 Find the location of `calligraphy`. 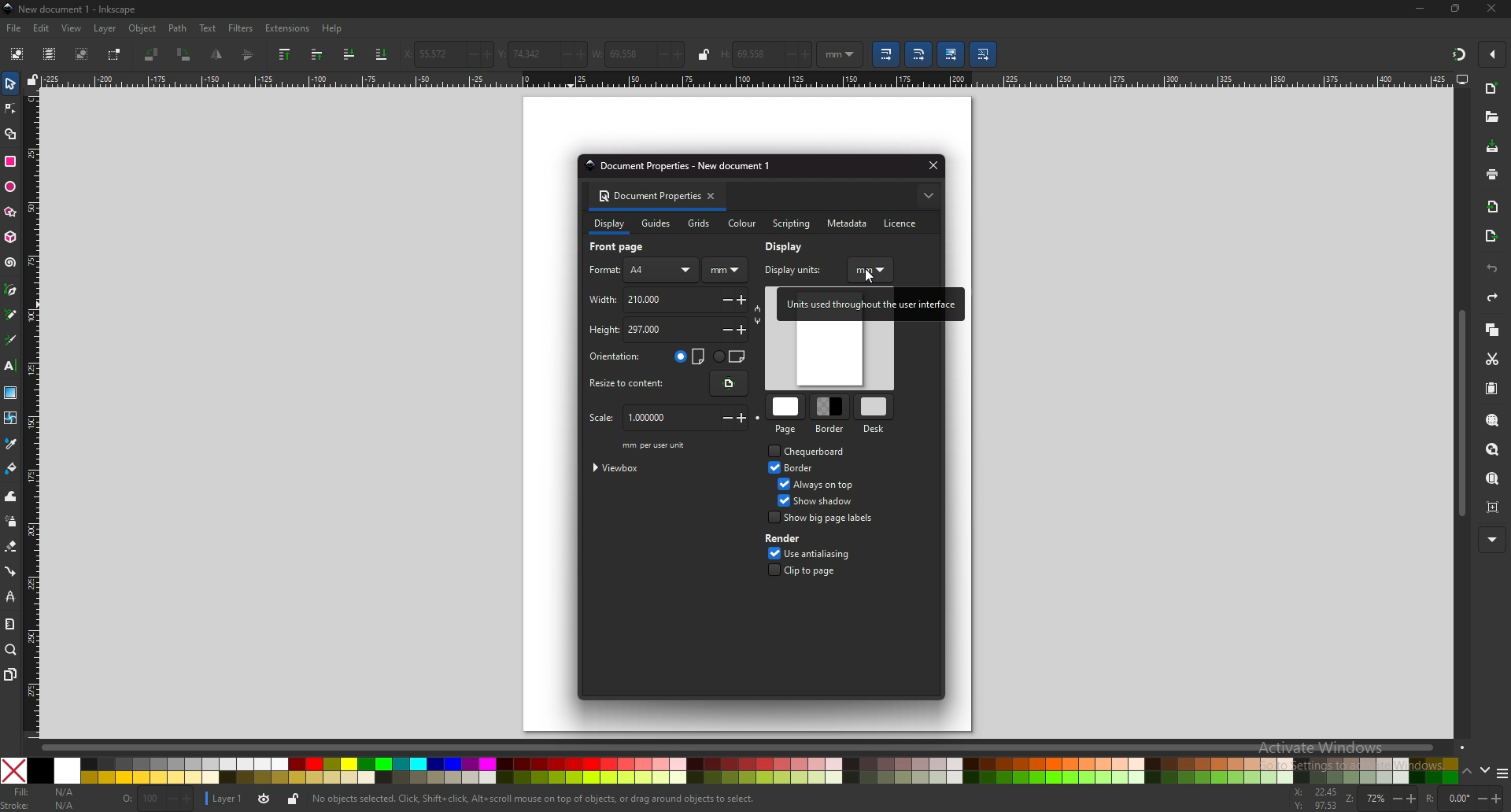

calligraphy is located at coordinates (9, 339).